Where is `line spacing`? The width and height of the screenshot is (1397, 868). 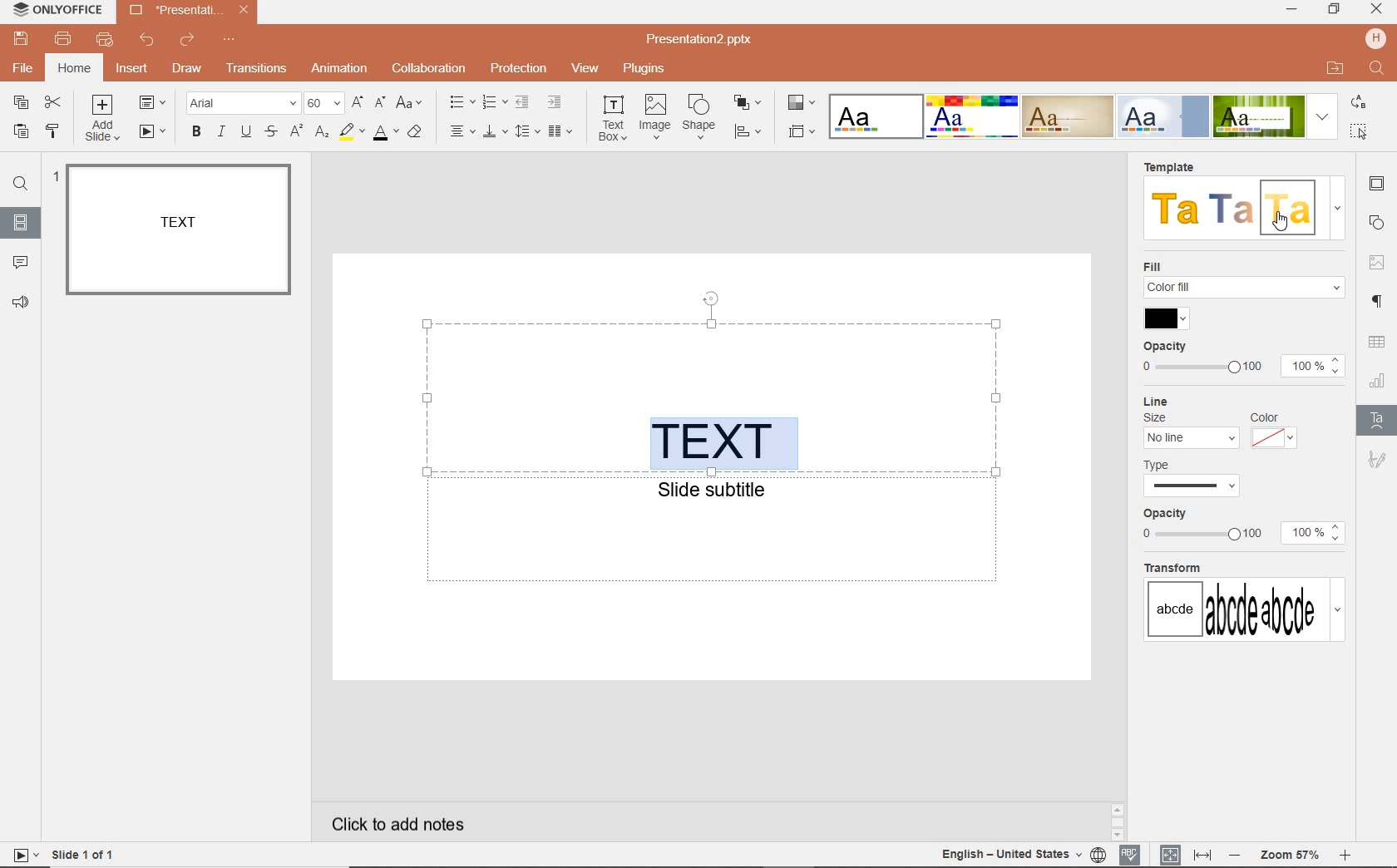 line spacing is located at coordinates (527, 131).